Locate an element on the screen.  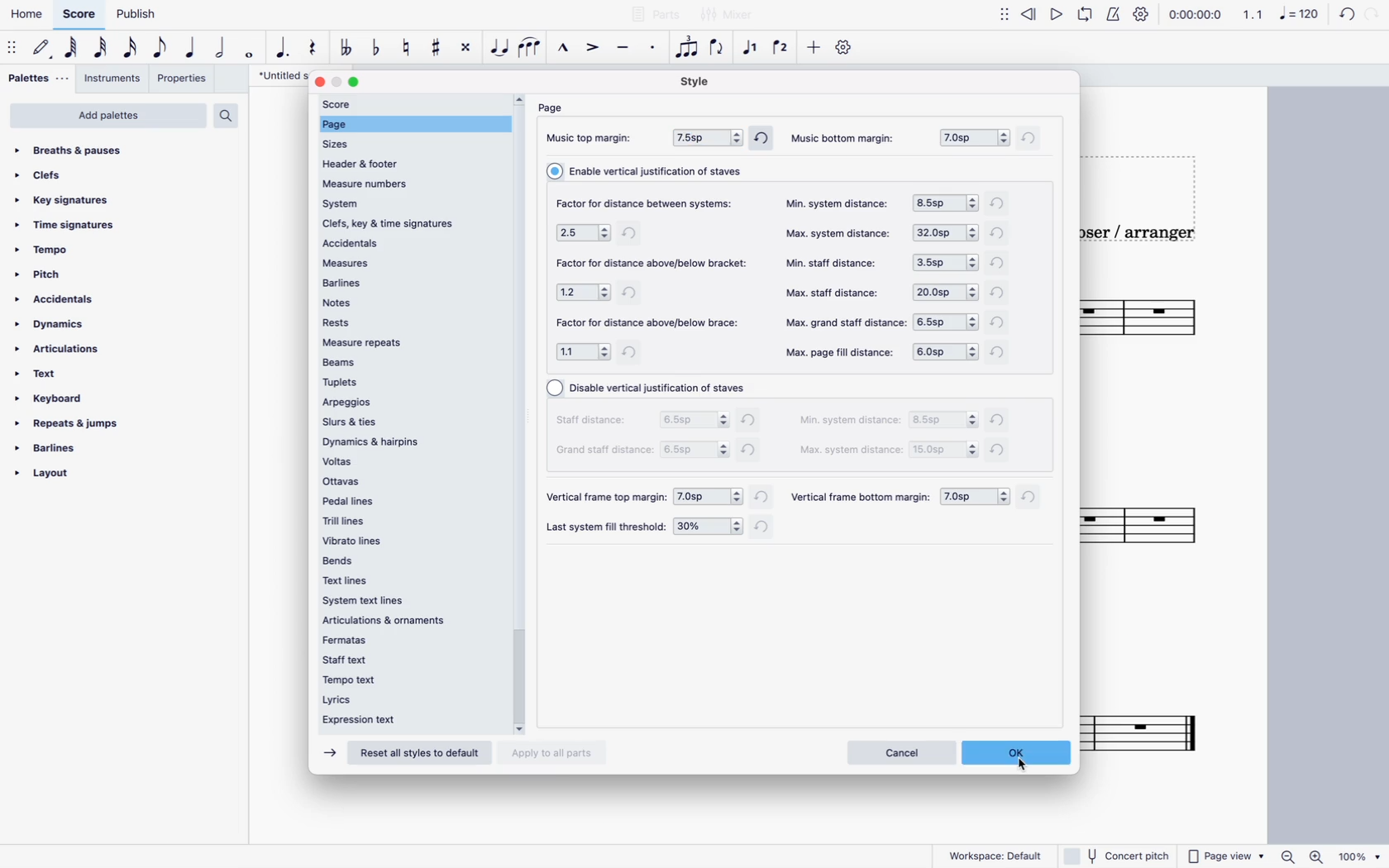
apply to all parts is located at coordinates (555, 751).